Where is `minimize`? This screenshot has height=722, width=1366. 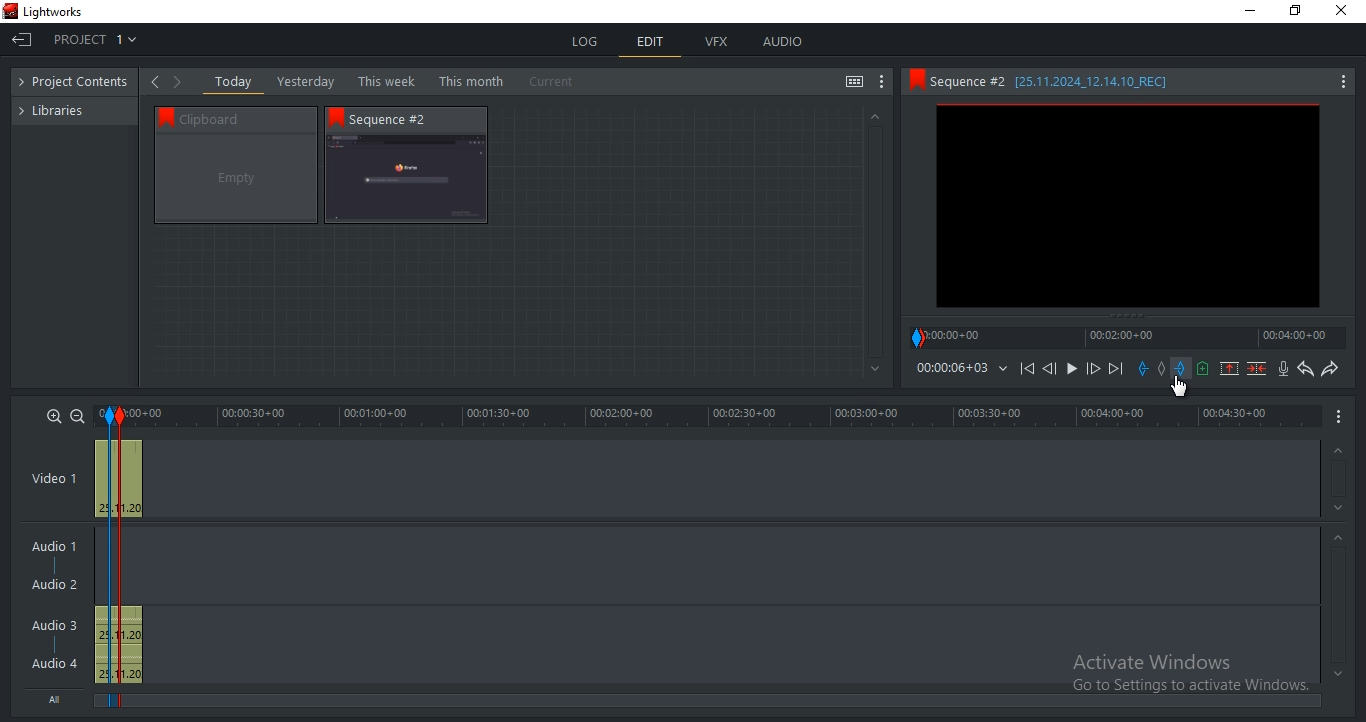 minimize is located at coordinates (1251, 11).